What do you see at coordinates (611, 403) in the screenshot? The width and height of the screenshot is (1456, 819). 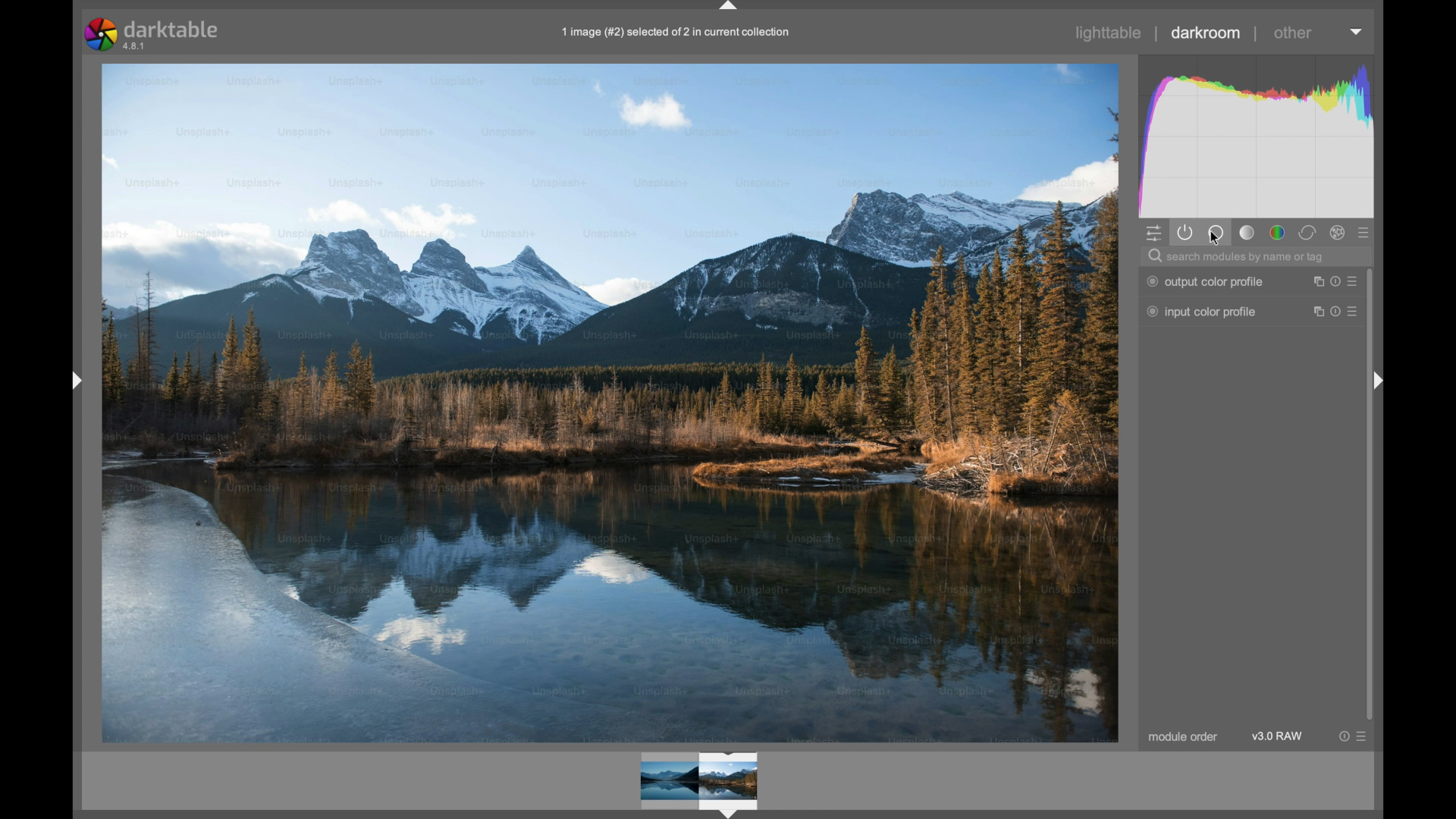 I see `Image` at bounding box center [611, 403].